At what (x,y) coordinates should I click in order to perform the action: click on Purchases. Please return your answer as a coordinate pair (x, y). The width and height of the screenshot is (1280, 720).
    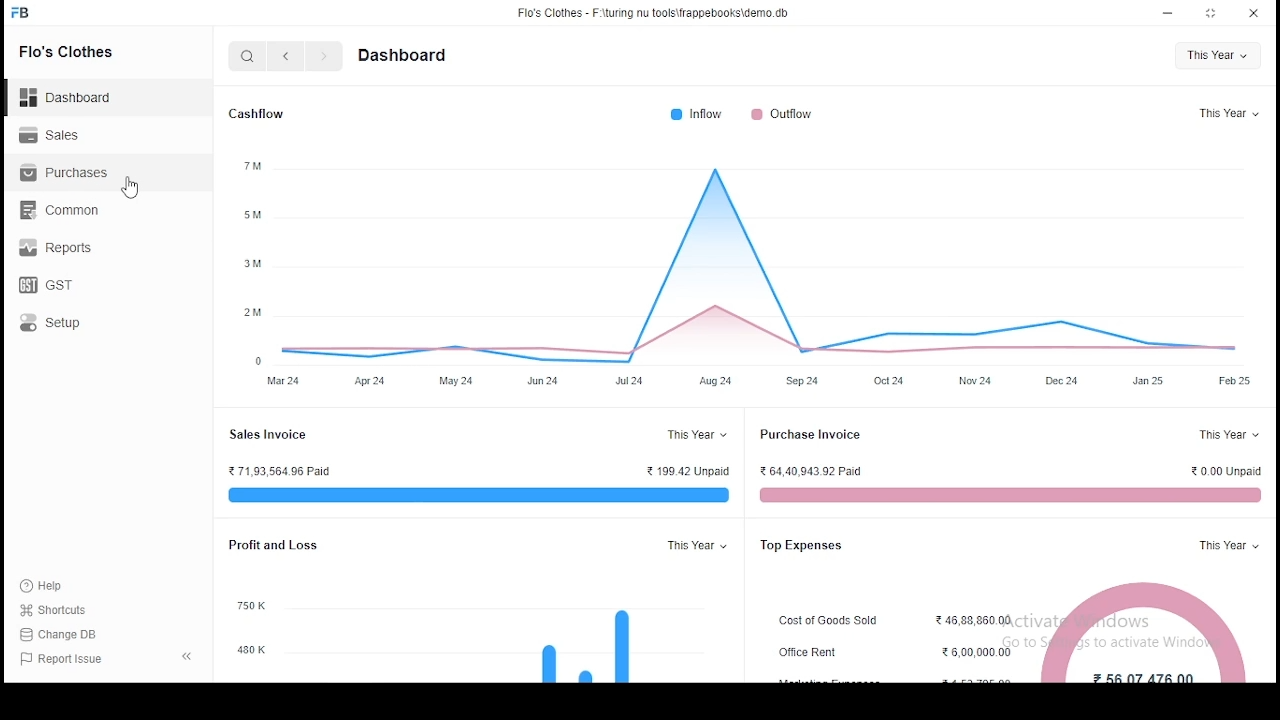
    Looking at the image, I should click on (65, 173).